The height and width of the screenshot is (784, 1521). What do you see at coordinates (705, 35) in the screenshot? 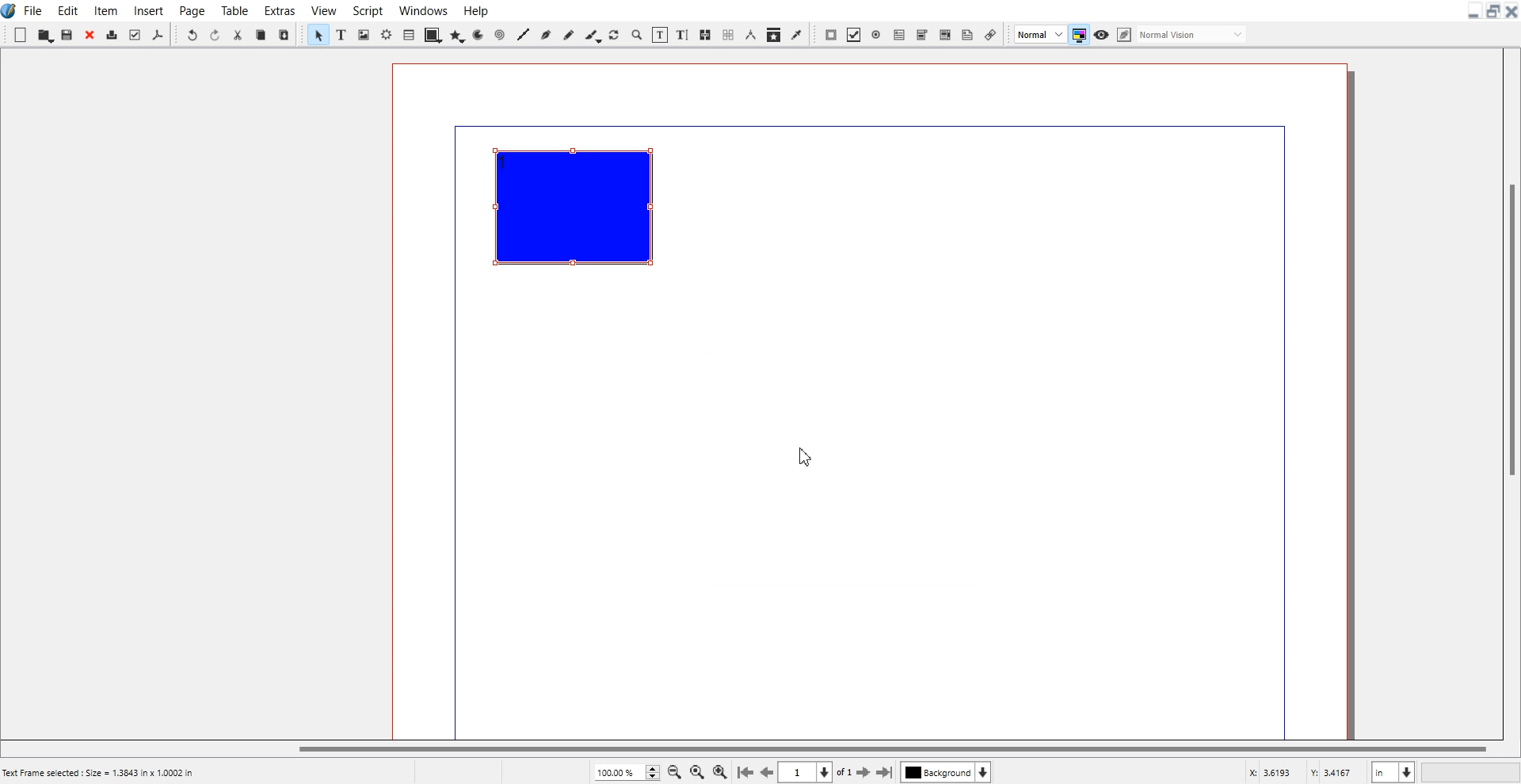
I see `Link Text Frame` at bounding box center [705, 35].